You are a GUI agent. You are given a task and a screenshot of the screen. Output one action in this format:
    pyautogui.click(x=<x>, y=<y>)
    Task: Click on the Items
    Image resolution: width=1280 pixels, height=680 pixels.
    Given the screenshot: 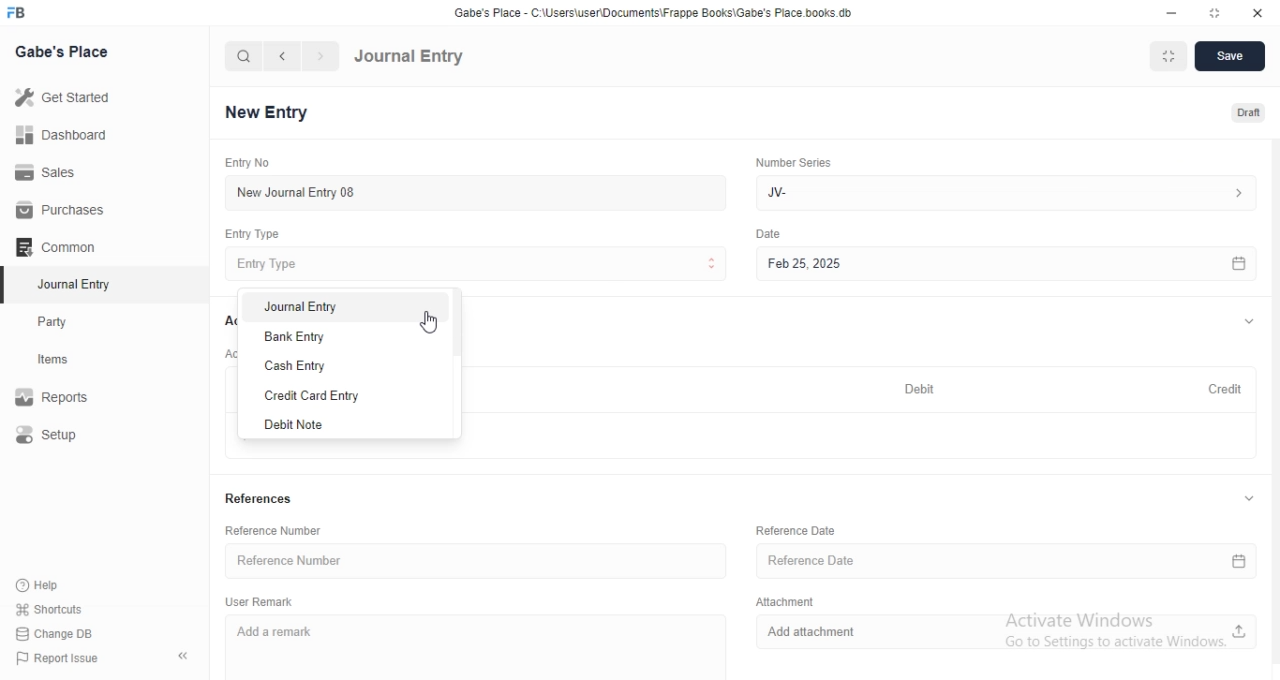 What is the action you would take?
    pyautogui.click(x=72, y=361)
    